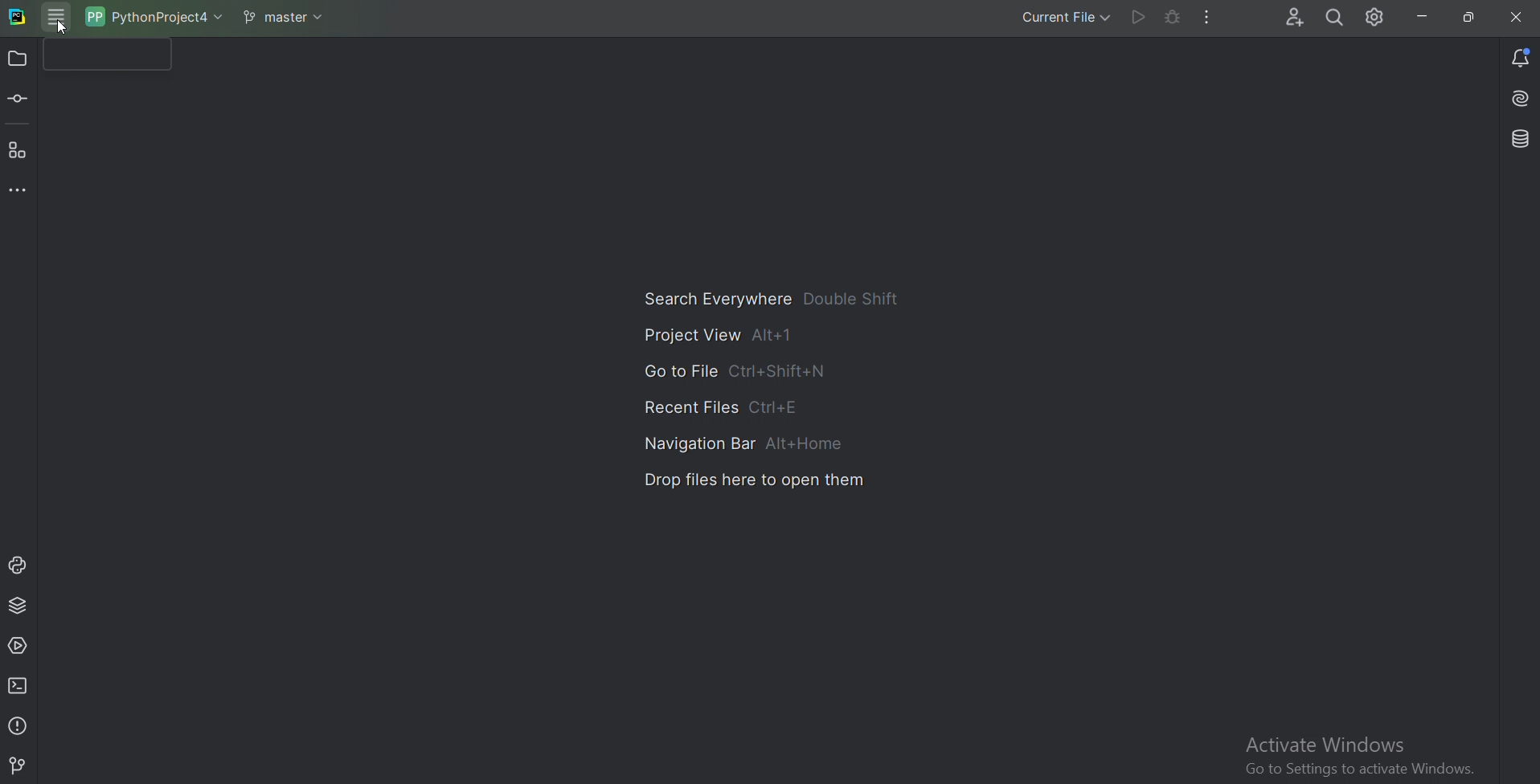 Image resolution: width=1540 pixels, height=784 pixels. Describe the element at coordinates (21, 685) in the screenshot. I see `Terminal` at that location.